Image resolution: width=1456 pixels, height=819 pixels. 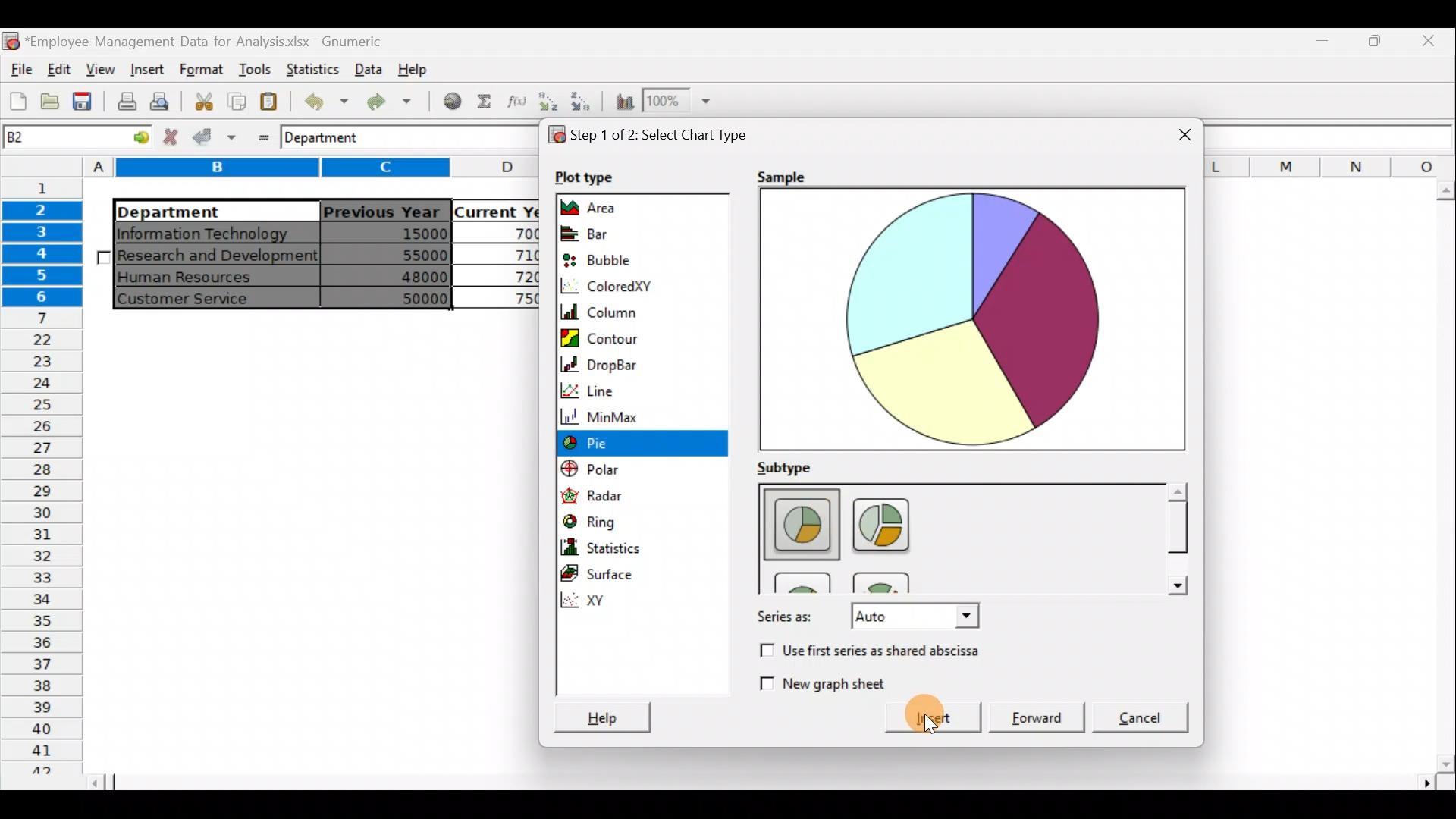 I want to click on 15000, so click(x=397, y=236).